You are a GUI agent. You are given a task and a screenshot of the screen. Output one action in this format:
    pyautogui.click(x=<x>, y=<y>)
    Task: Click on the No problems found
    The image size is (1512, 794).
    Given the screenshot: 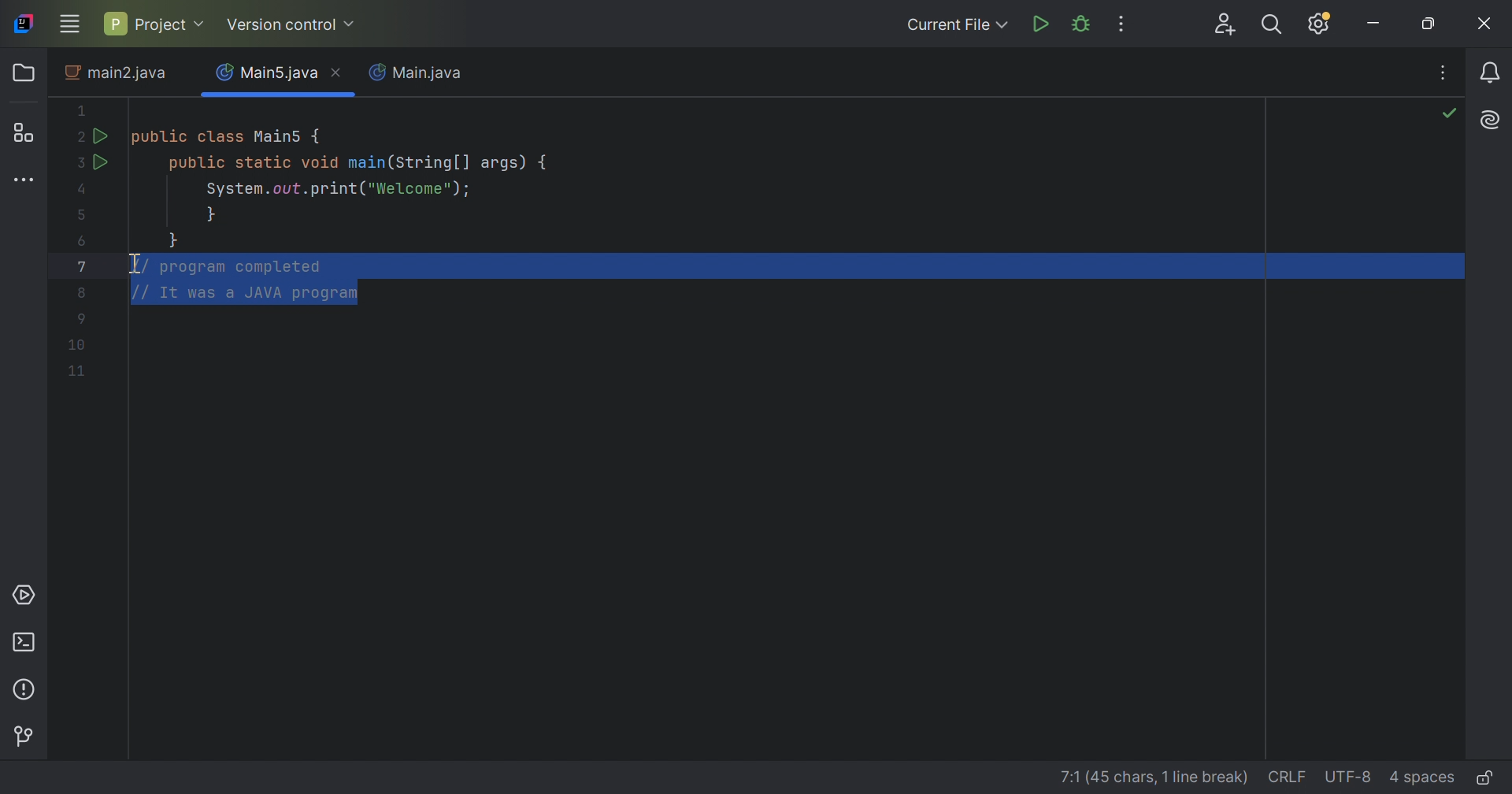 What is the action you would take?
    pyautogui.click(x=1451, y=116)
    